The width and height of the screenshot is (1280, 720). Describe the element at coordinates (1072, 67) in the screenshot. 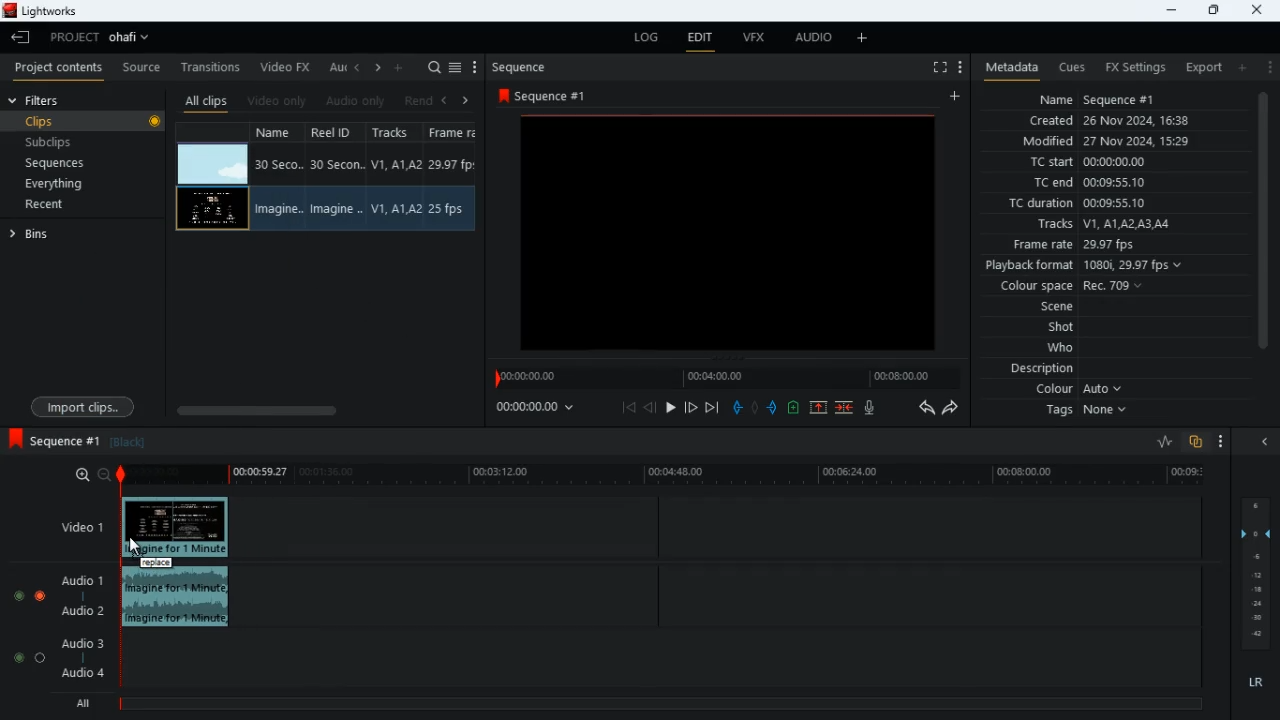

I see `cues` at that location.